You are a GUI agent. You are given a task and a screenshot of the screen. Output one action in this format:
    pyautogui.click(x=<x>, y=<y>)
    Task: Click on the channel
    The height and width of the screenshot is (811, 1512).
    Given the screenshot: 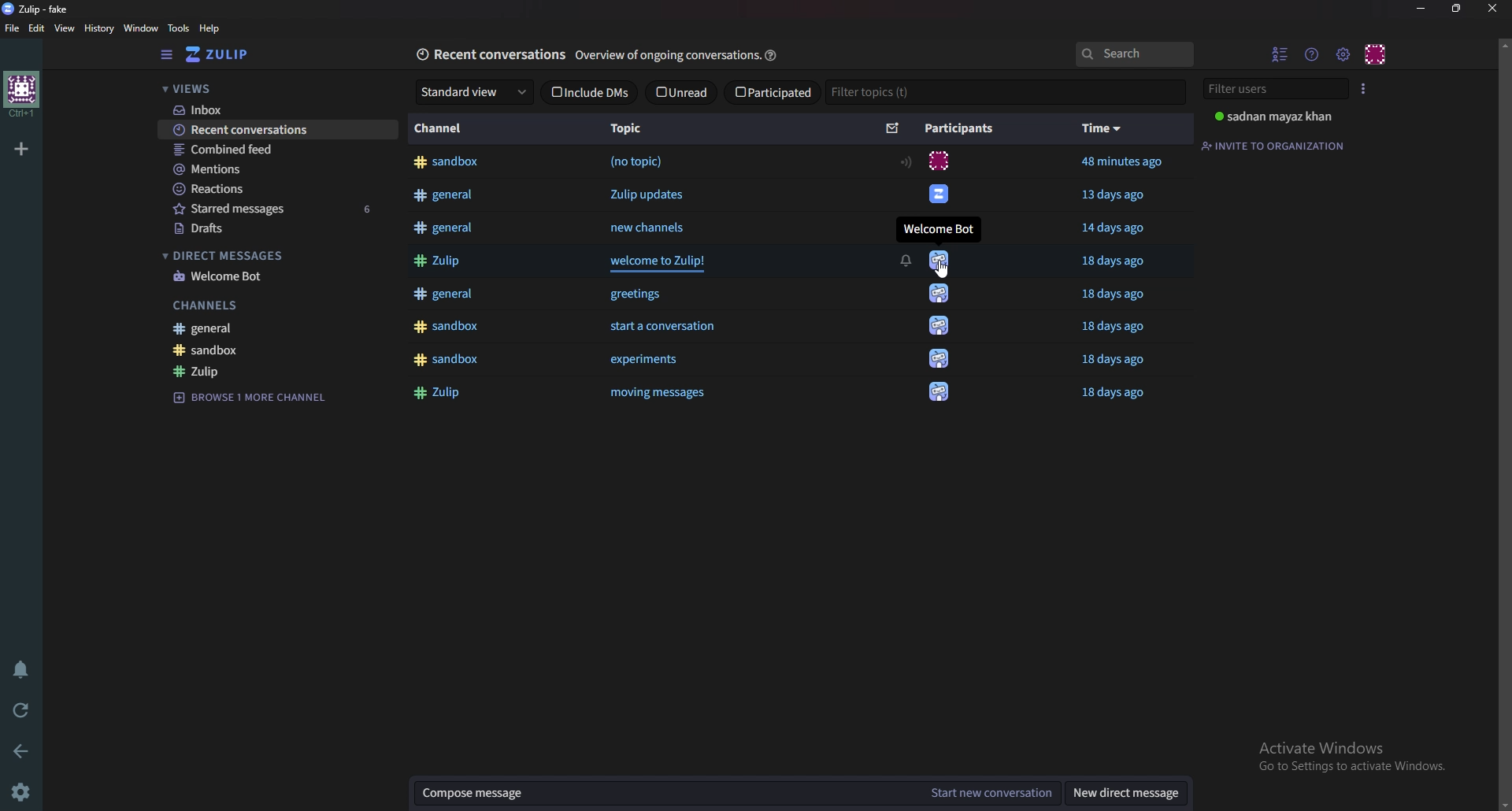 What is the action you would take?
    pyautogui.click(x=438, y=127)
    